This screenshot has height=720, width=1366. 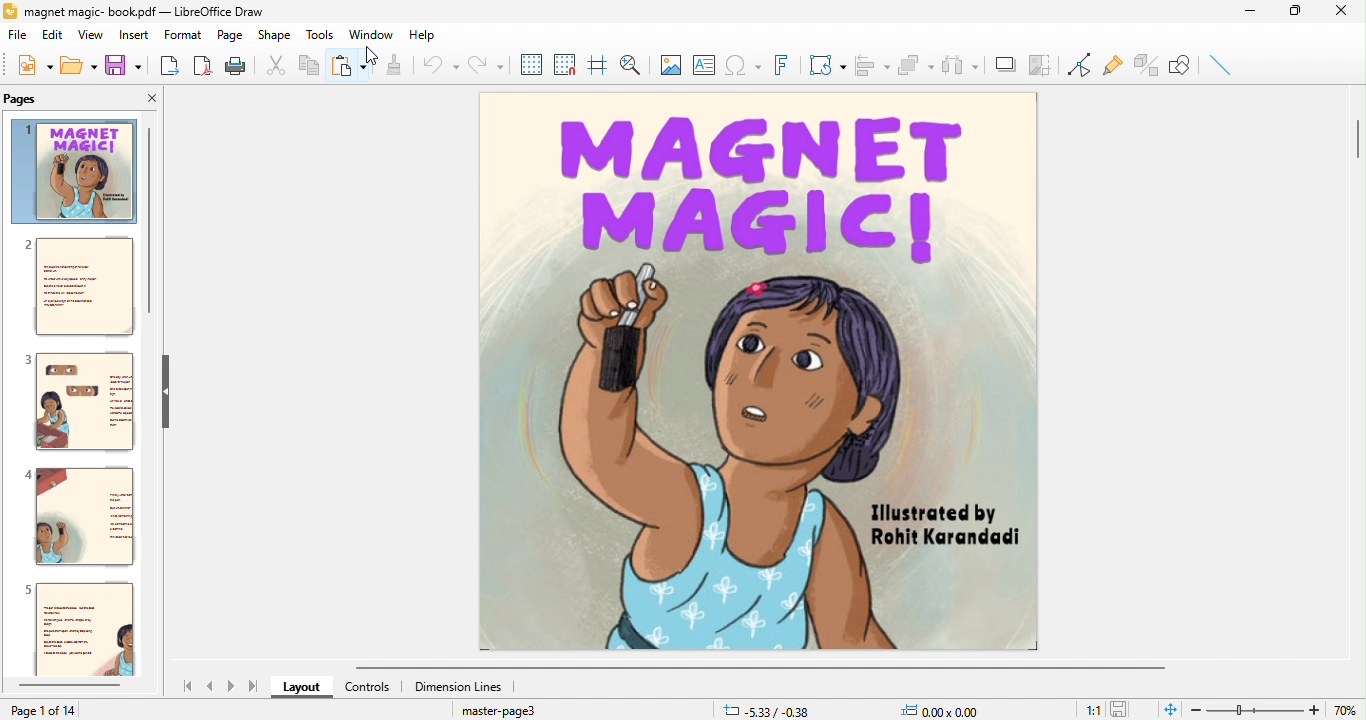 What do you see at coordinates (14, 38) in the screenshot?
I see `fil` at bounding box center [14, 38].